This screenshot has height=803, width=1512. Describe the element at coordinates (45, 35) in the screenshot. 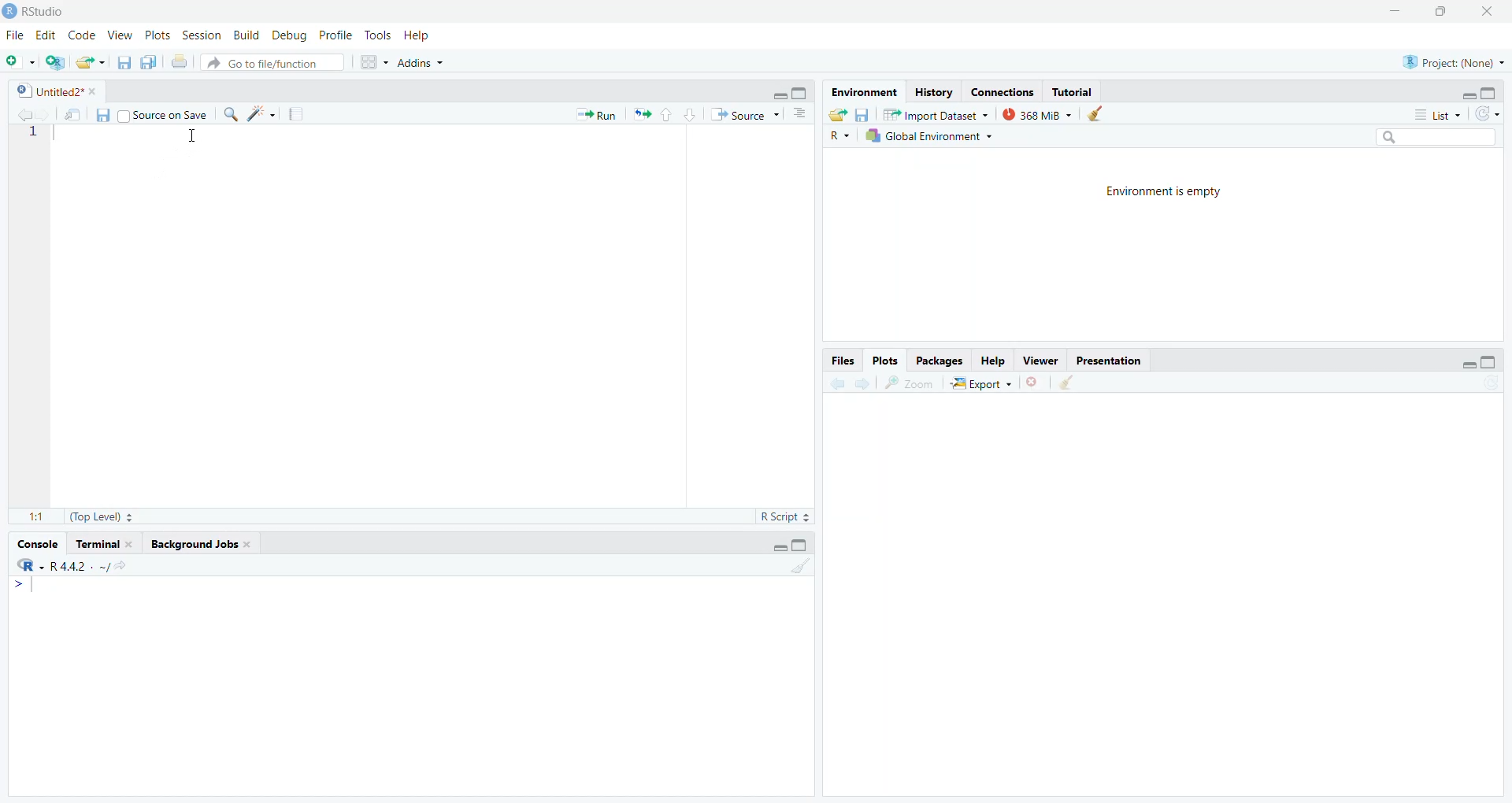

I see `Edit` at that location.